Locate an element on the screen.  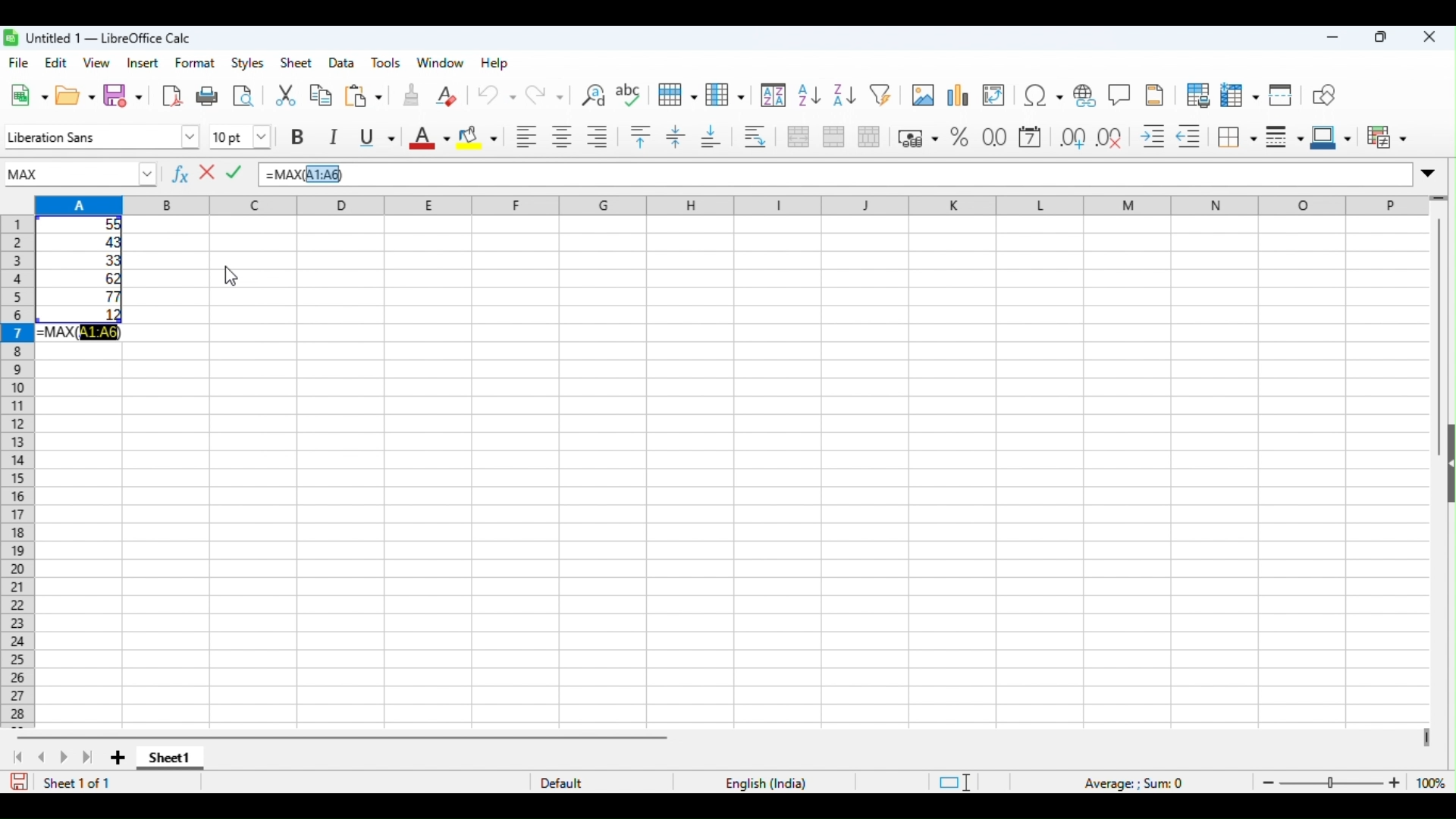
insert is located at coordinates (143, 63).